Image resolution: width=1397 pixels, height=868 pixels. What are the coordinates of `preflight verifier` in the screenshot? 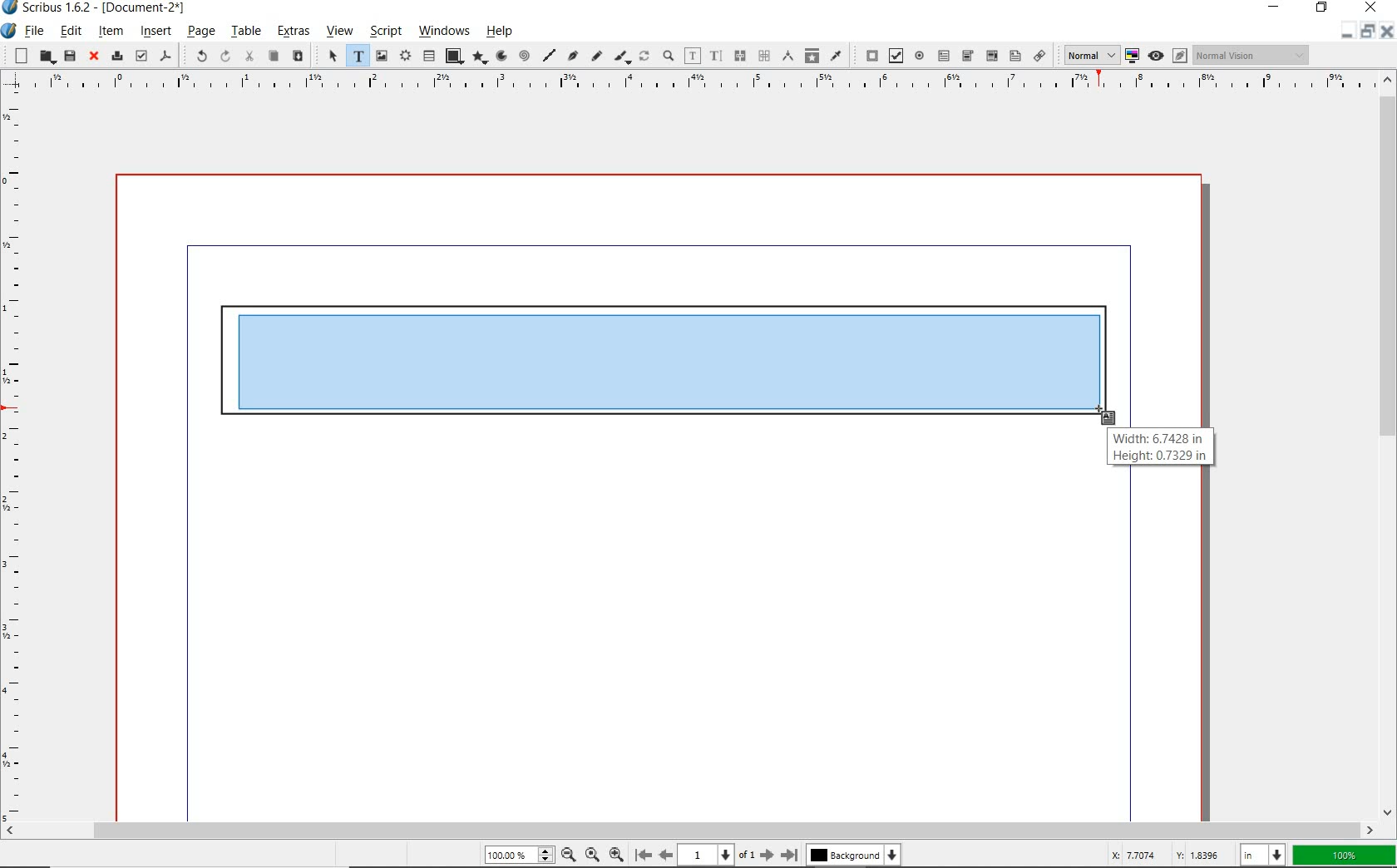 It's located at (141, 56).